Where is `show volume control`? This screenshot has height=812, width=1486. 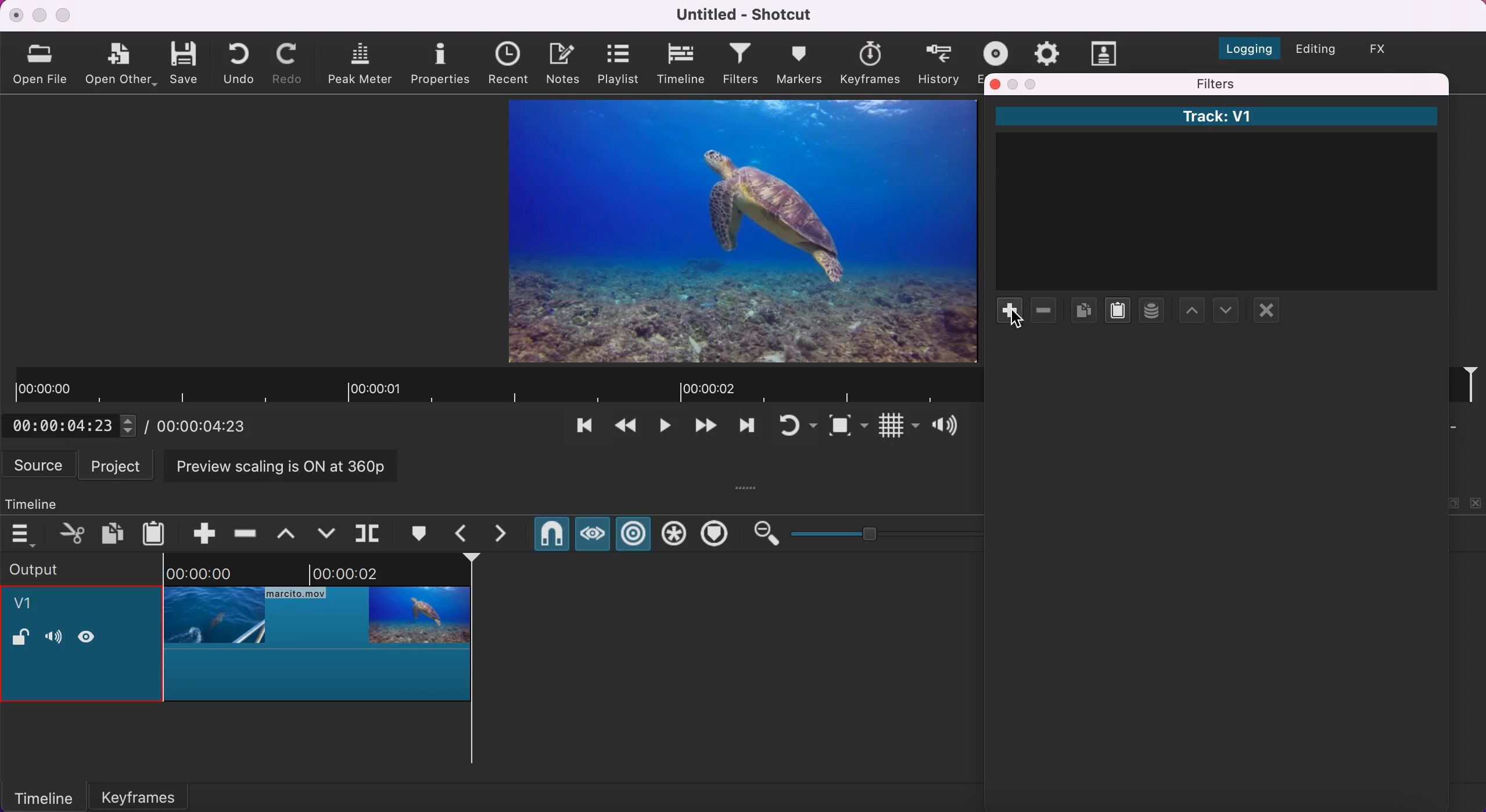 show volume control is located at coordinates (949, 427).